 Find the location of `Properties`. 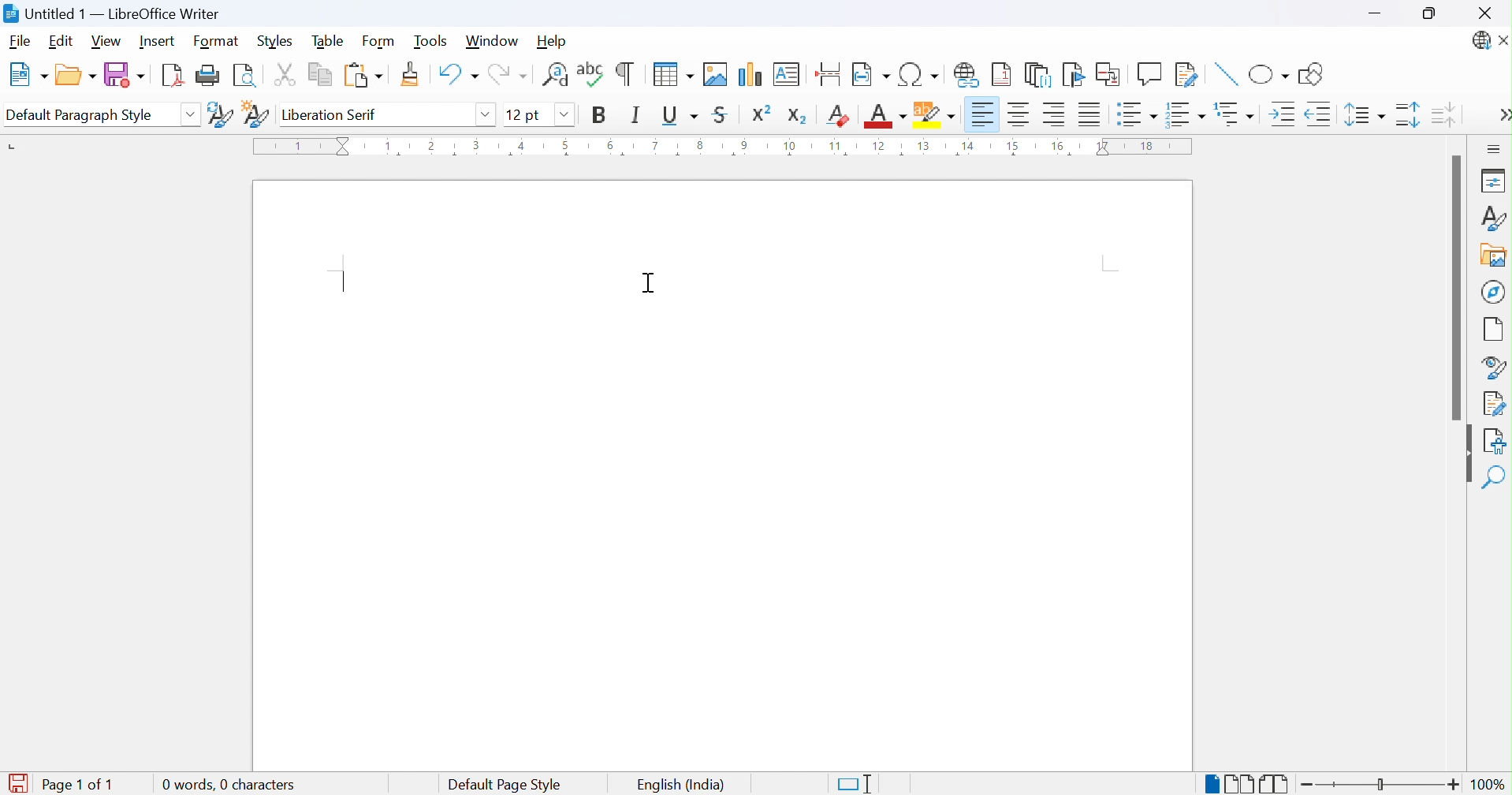

Properties is located at coordinates (1495, 182).